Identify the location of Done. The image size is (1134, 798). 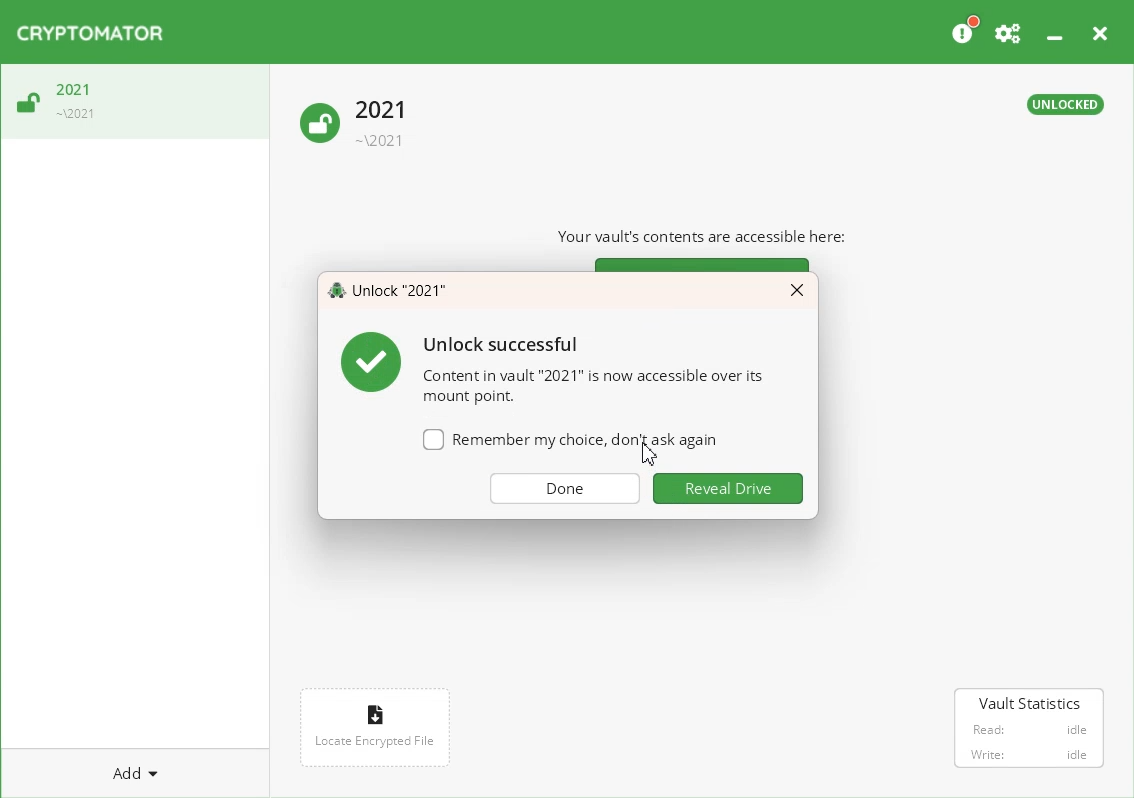
(566, 489).